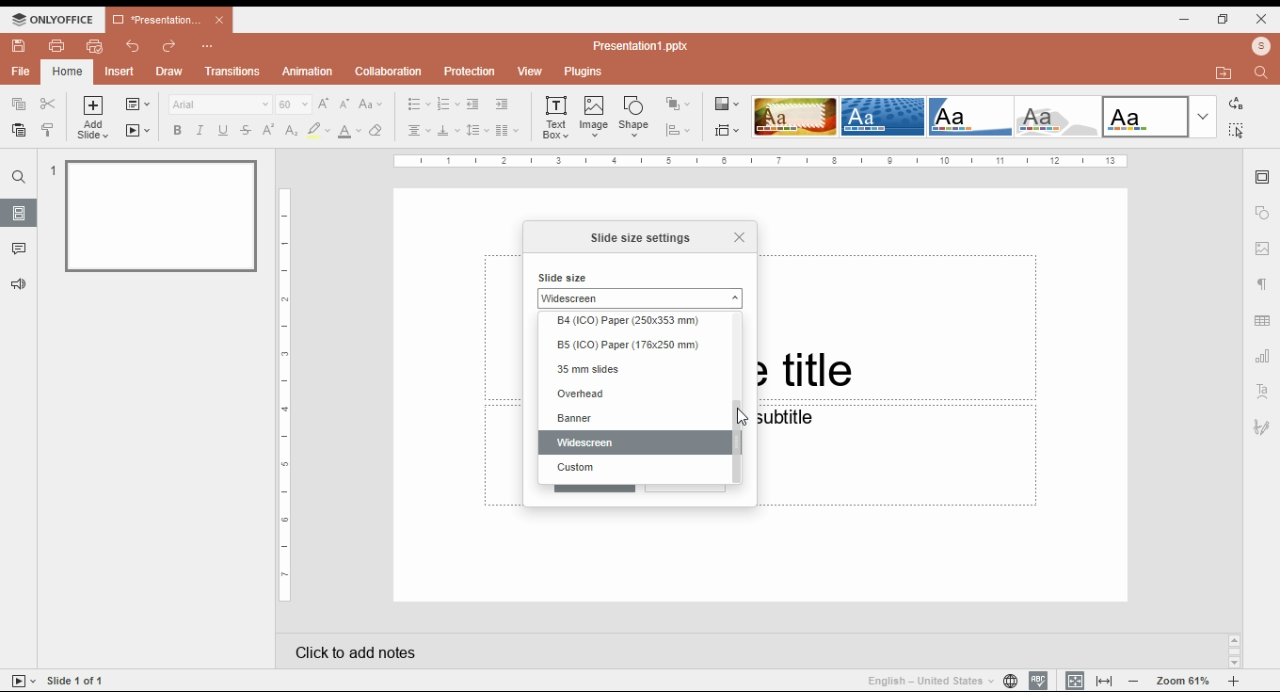 This screenshot has height=692, width=1280. What do you see at coordinates (1061, 117) in the screenshot?
I see `slide them option` at bounding box center [1061, 117].